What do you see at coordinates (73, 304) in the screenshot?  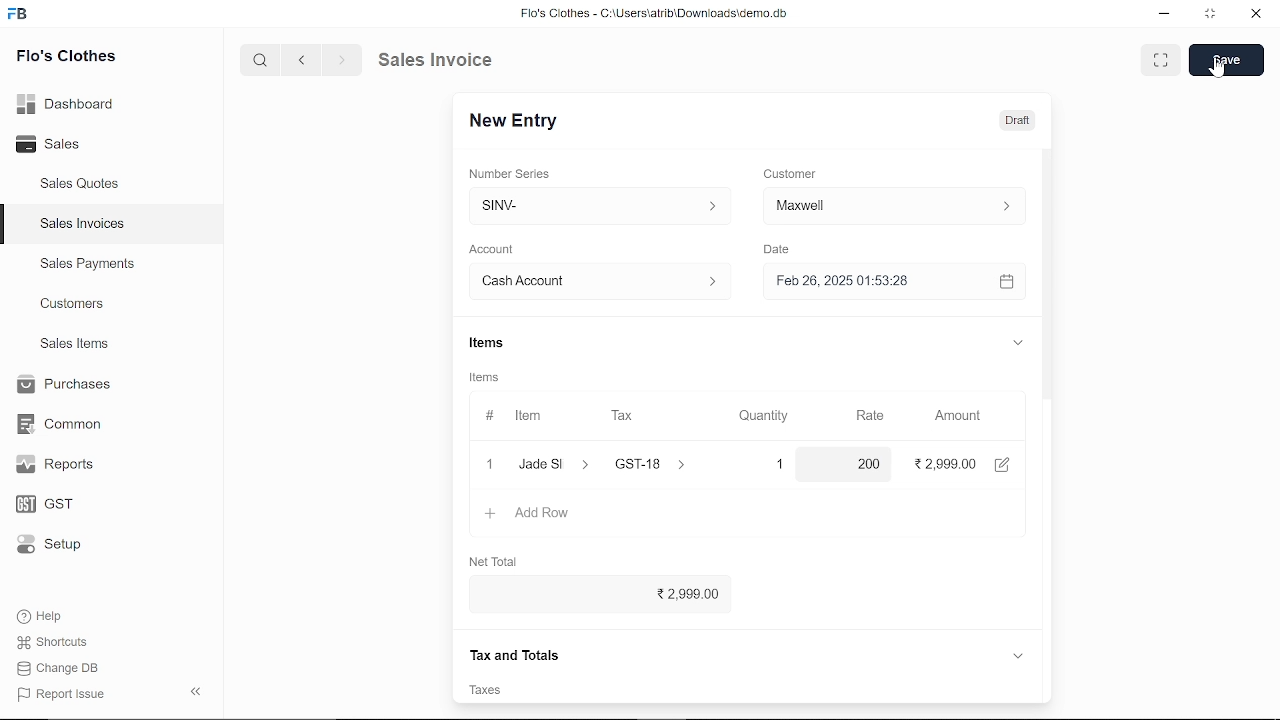 I see `Customers.` at bounding box center [73, 304].